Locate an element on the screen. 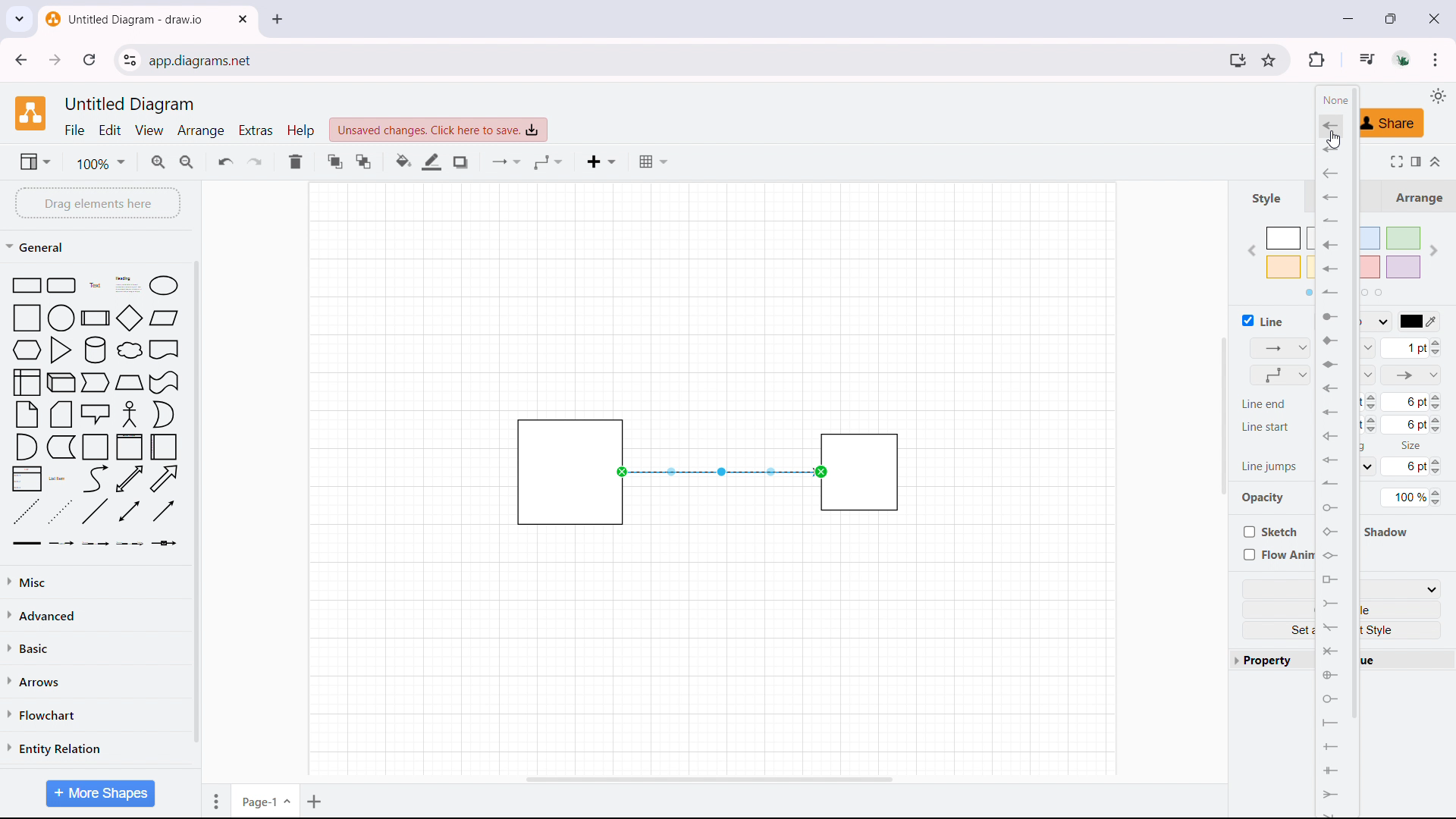  view is located at coordinates (34, 161).